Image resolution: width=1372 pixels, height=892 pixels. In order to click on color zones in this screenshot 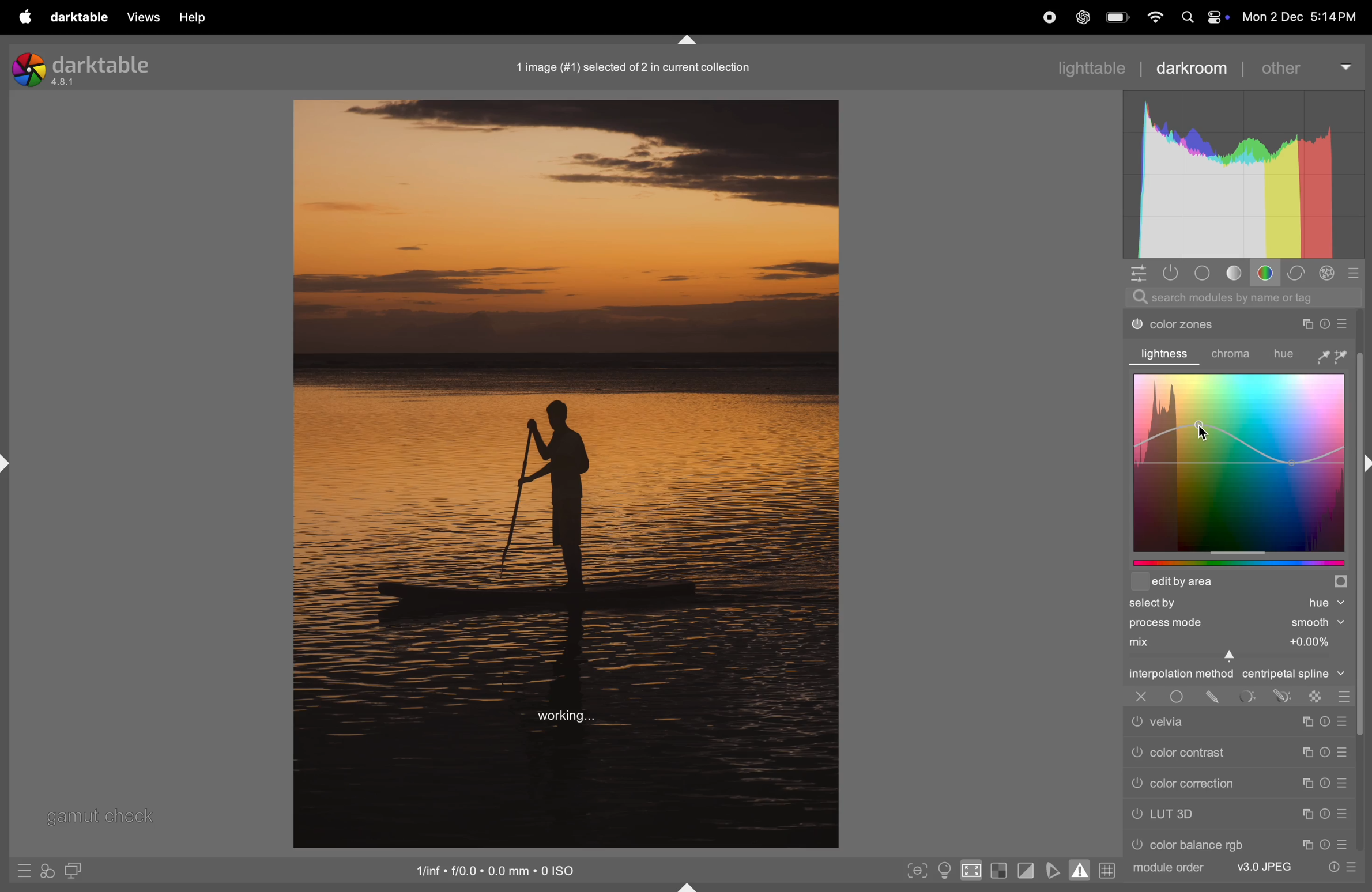, I will do `click(1203, 324)`.